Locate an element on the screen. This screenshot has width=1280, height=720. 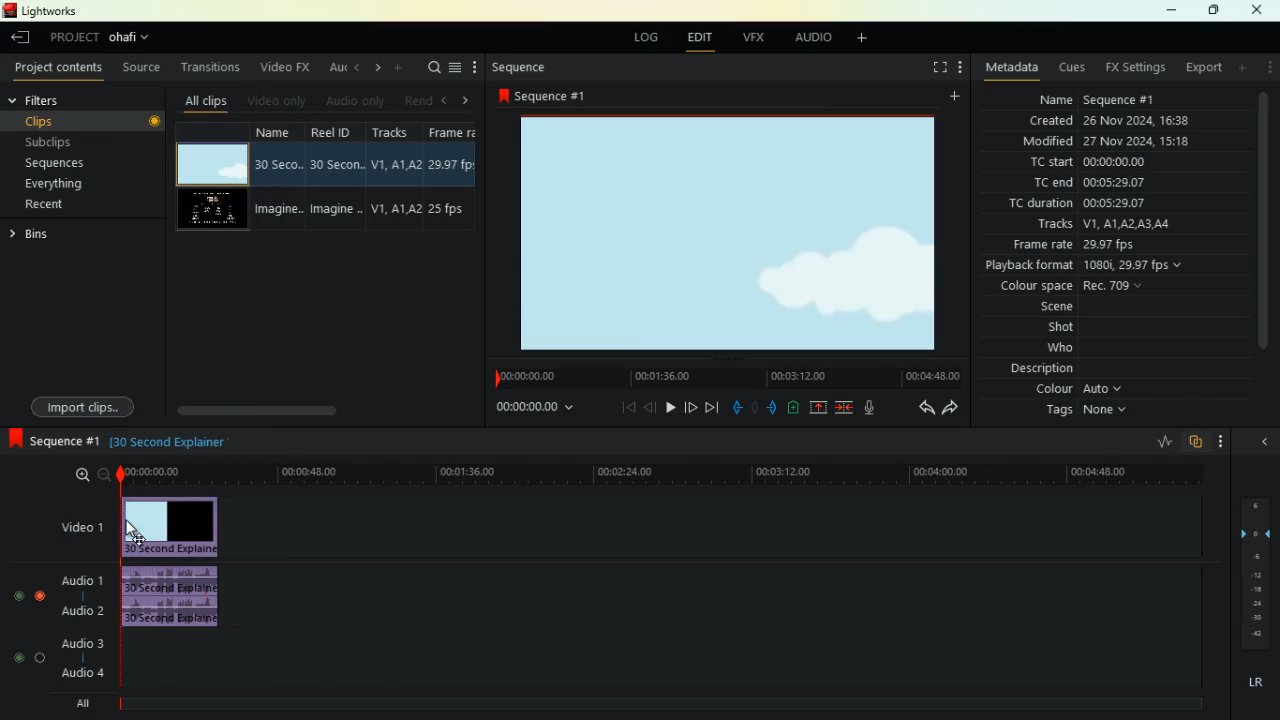
video only is located at coordinates (279, 101).